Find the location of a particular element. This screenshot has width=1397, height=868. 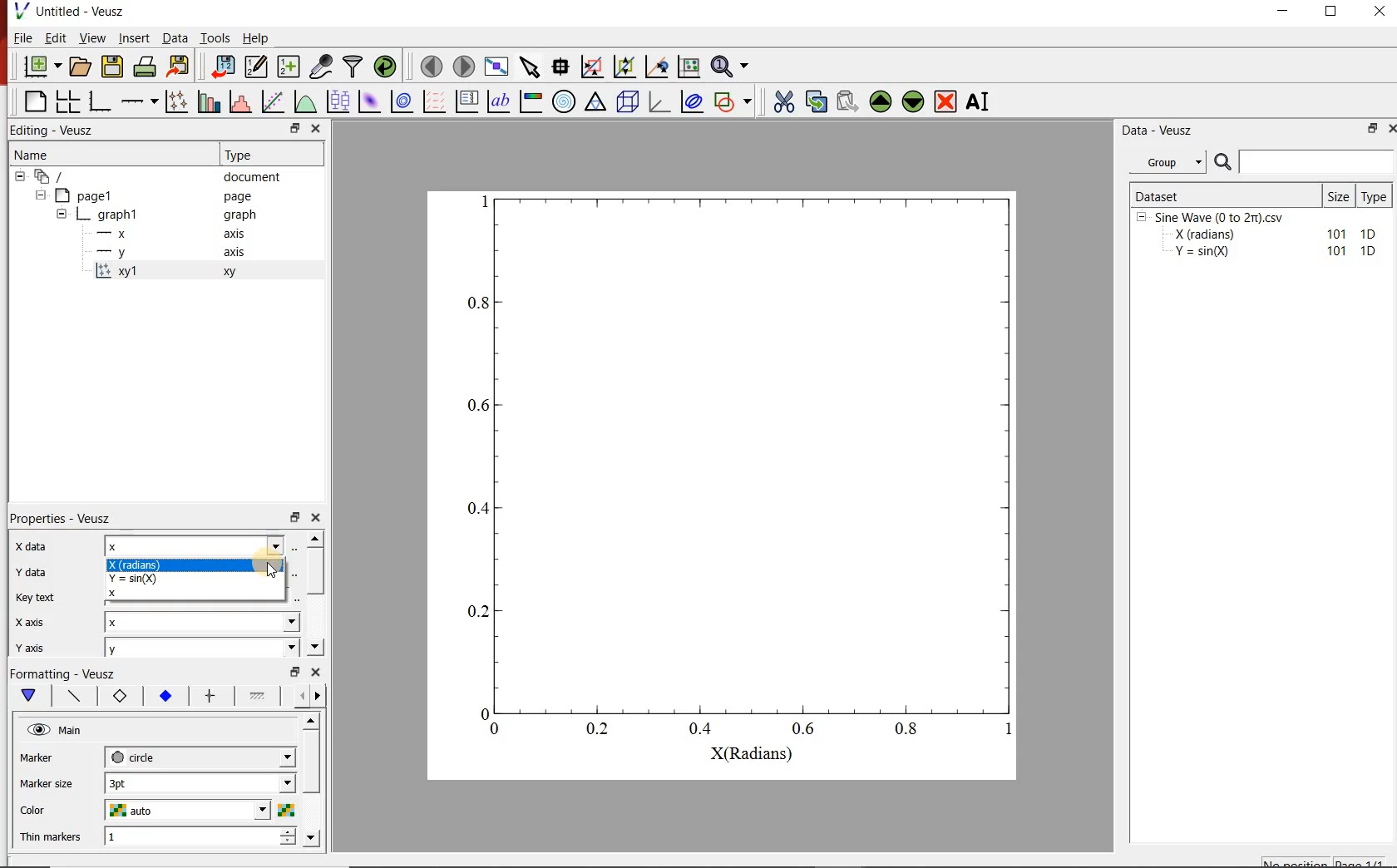

Auto is located at coordinates (200, 571).